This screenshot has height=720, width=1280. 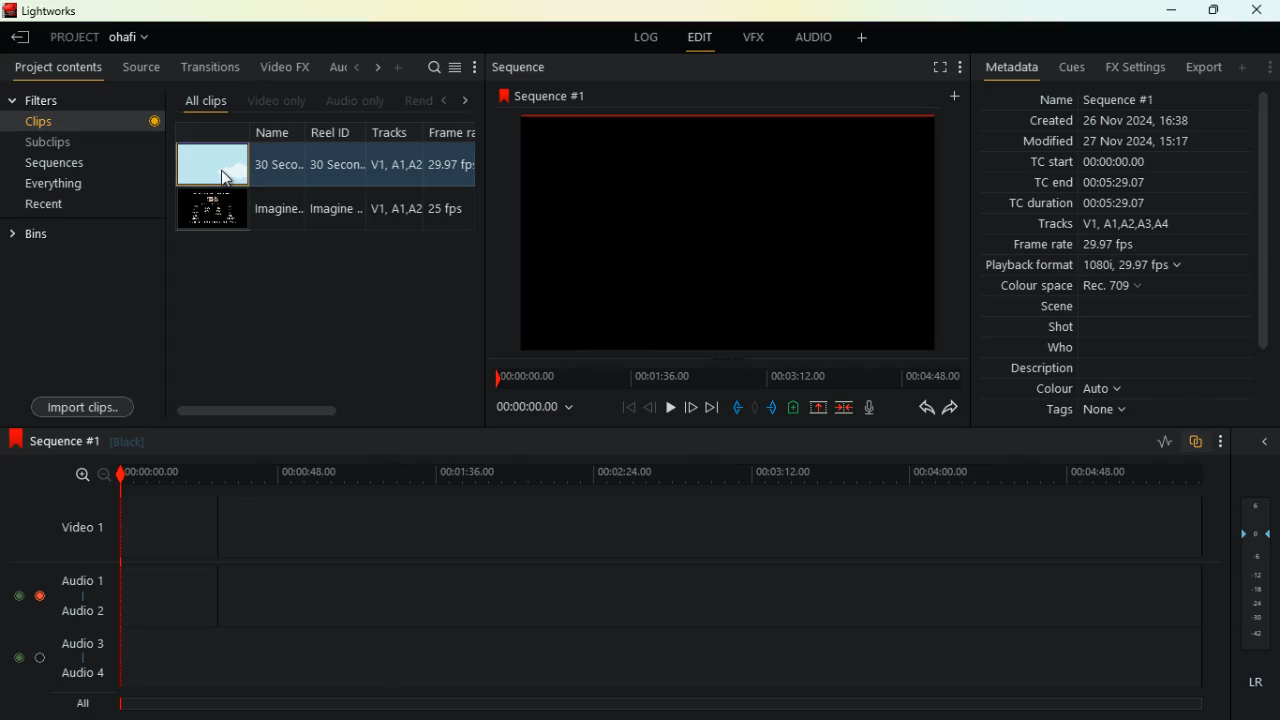 What do you see at coordinates (1252, 573) in the screenshot?
I see `layers` at bounding box center [1252, 573].